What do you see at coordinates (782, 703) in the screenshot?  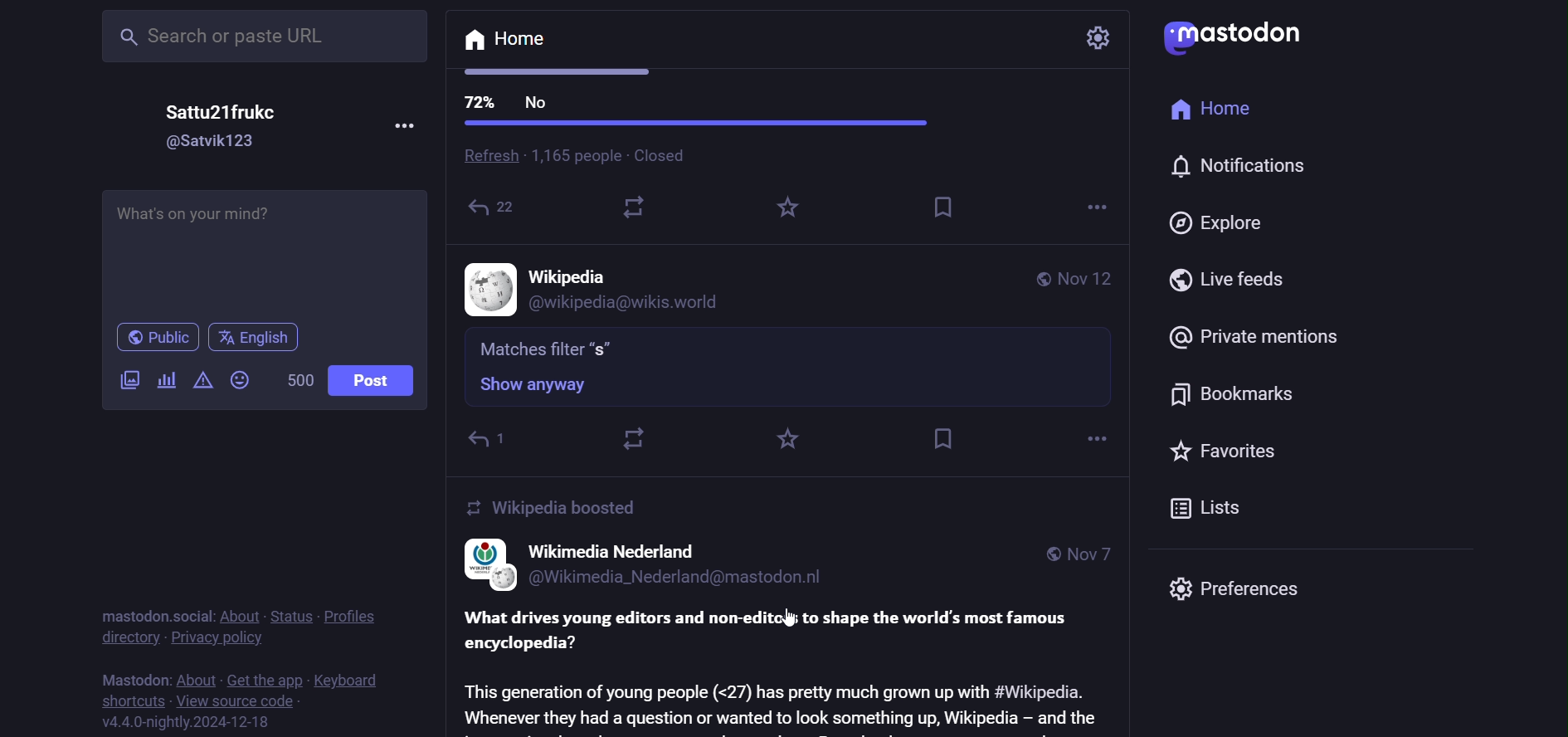 I see `This generation of young people (<27) has pretty much grown up with #Wikipedia.
Whenever they had a question or wanted to look something up, Wikipedia — and the` at bounding box center [782, 703].